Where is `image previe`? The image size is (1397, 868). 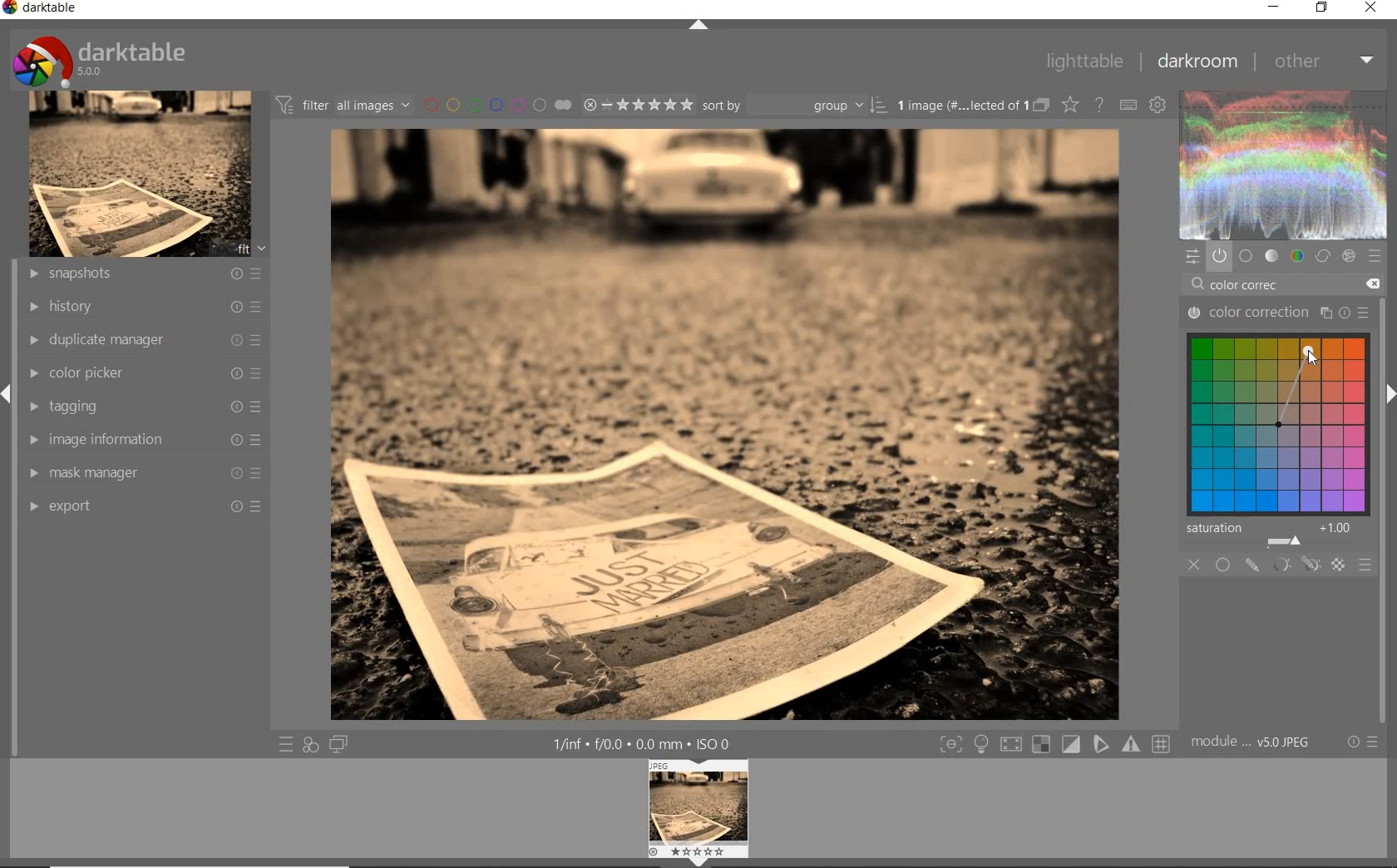
image previe is located at coordinates (699, 813).